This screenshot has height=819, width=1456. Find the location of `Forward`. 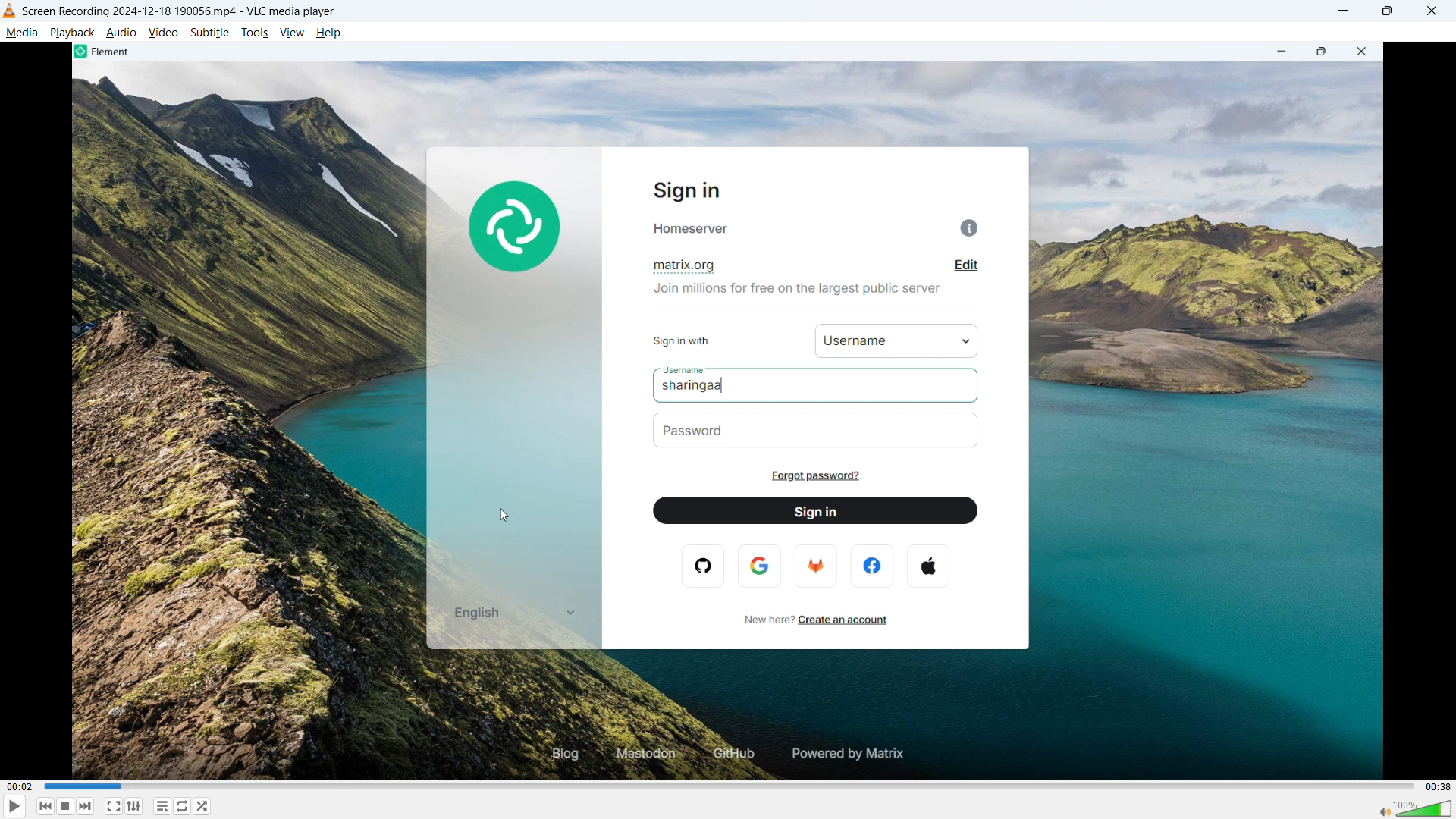

Forward is located at coordinates (86, 806).